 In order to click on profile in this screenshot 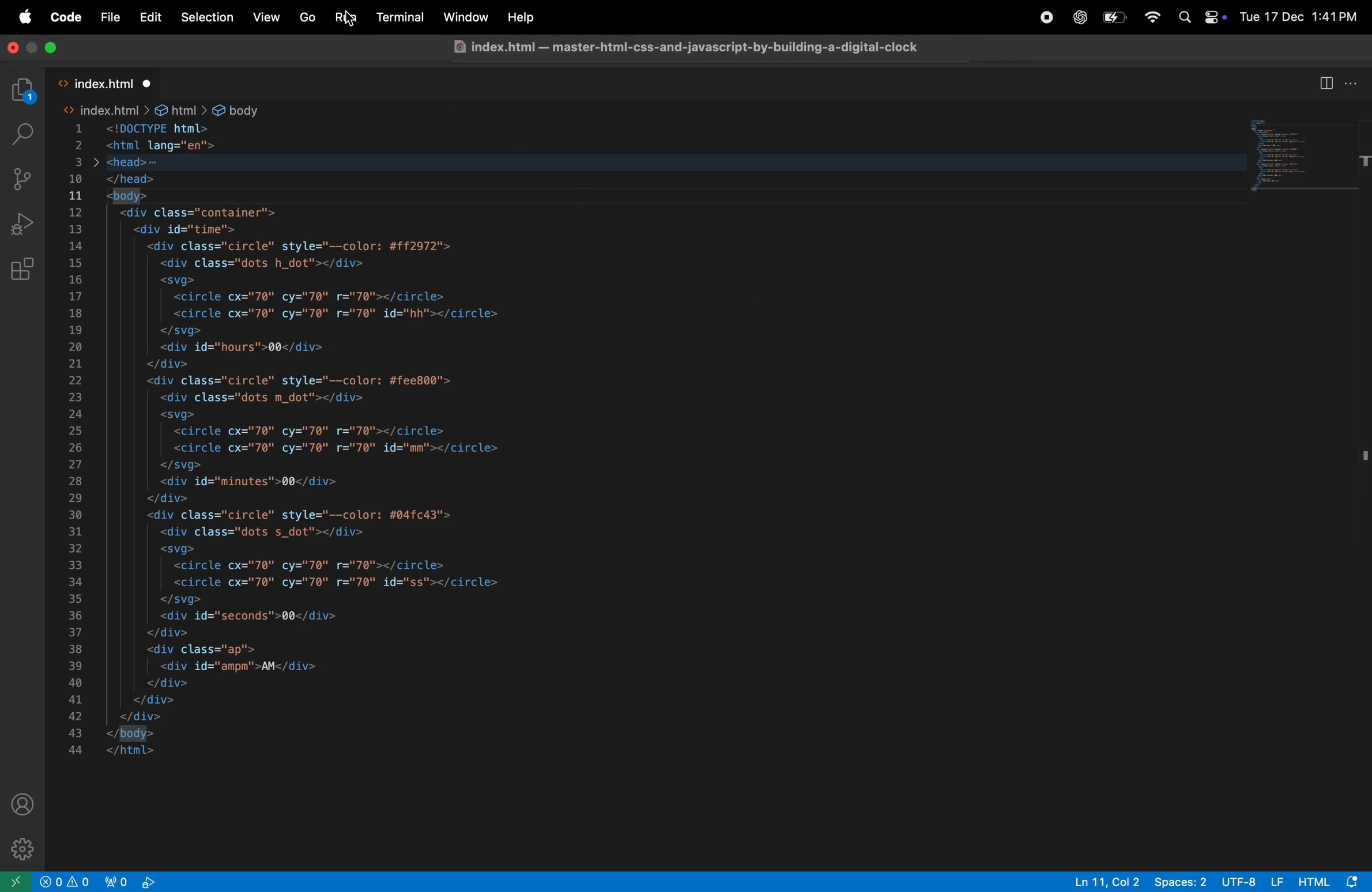, I will do `click(24, 803)`.